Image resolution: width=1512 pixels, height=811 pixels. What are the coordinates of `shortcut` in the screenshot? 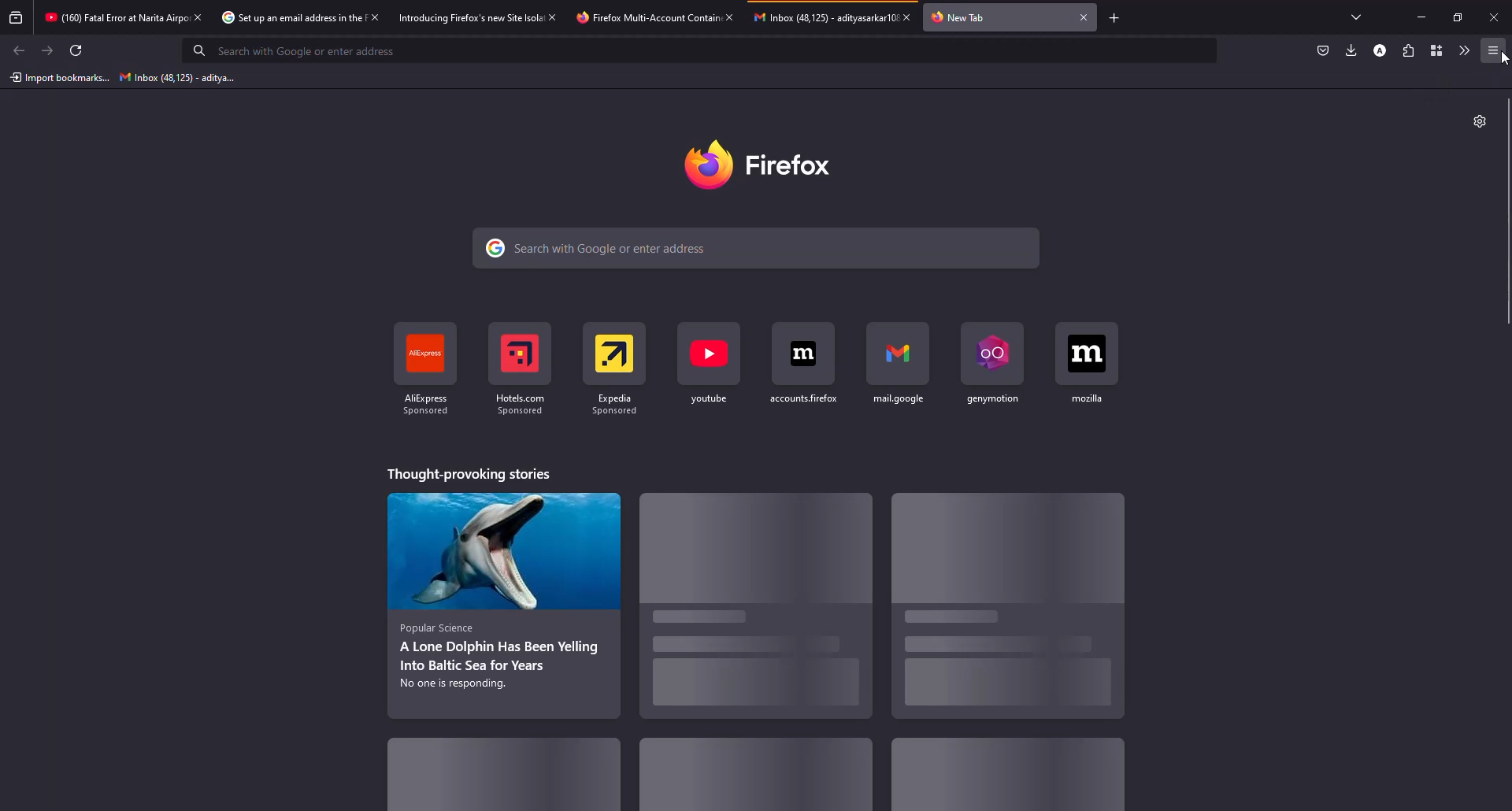 It's located at (428, 371).